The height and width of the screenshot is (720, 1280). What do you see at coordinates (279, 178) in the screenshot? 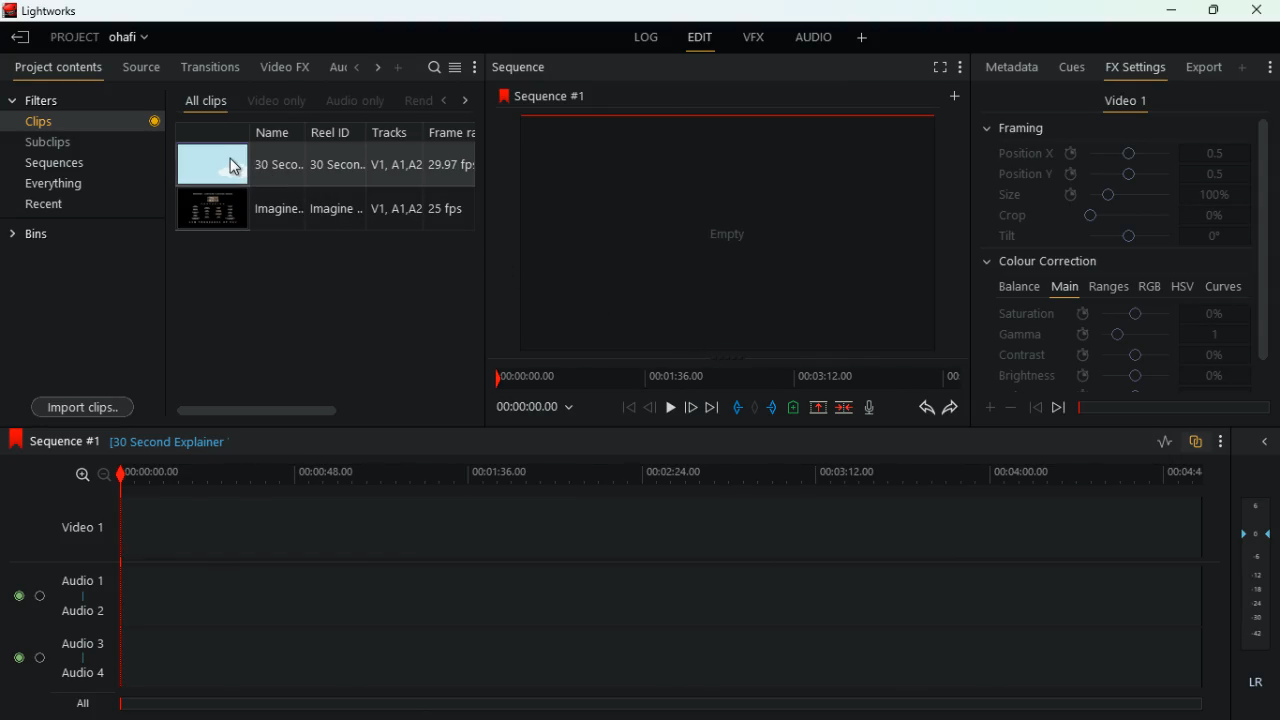
I see `name` at bounding box center [279, 178].